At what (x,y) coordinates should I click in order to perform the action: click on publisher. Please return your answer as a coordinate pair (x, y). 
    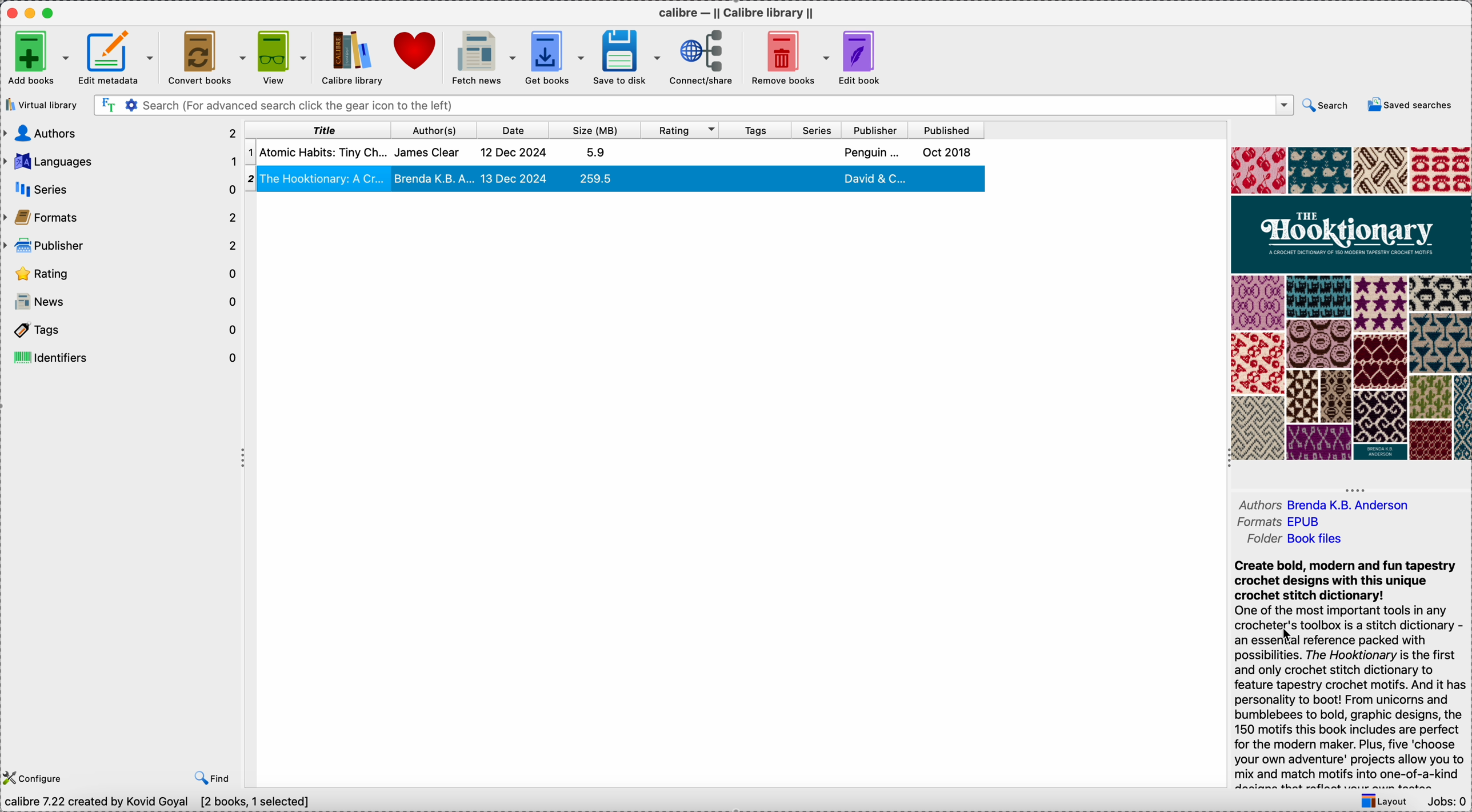
    Looking at the image, I should click on (121, 246).